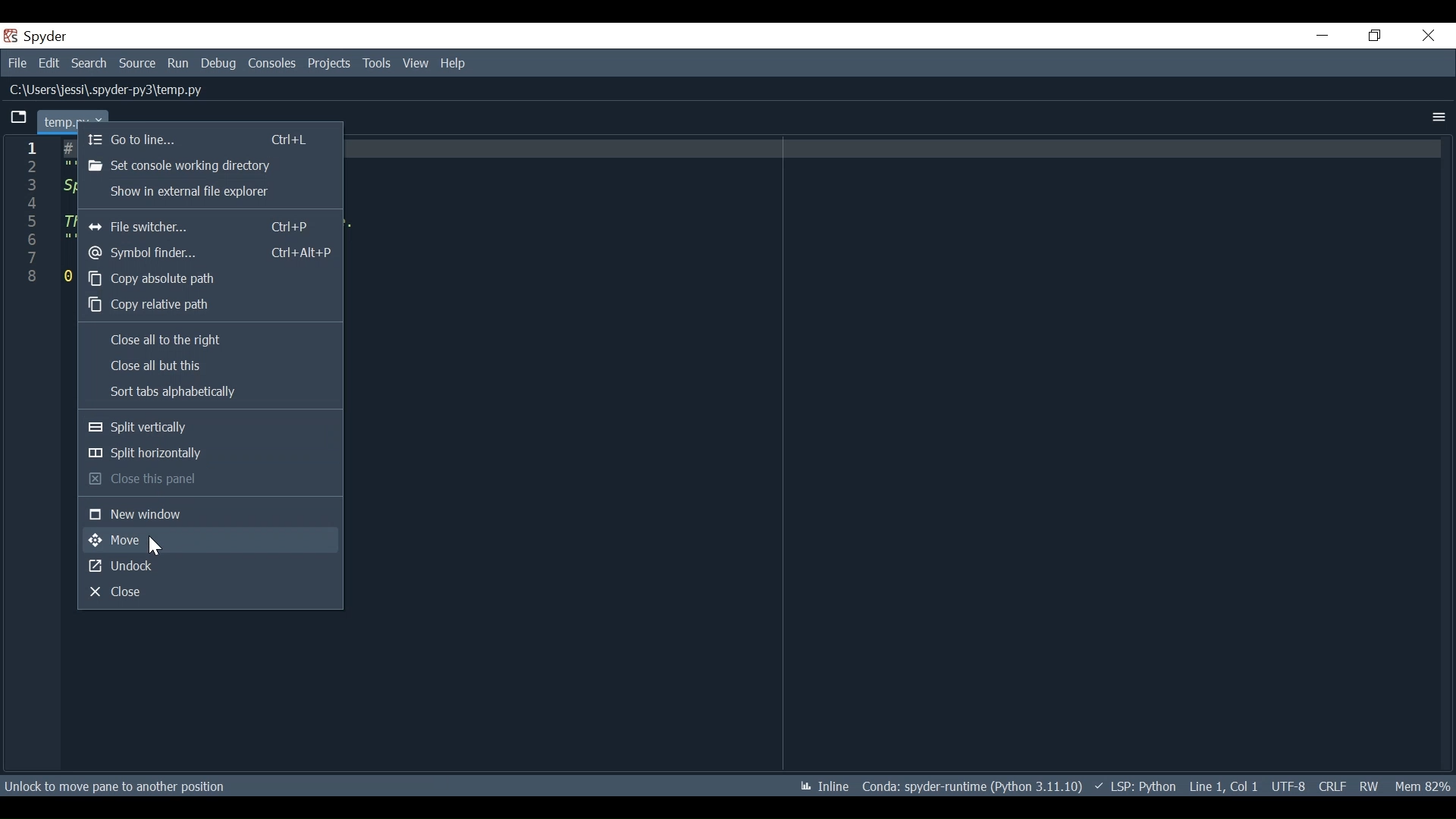 The width and height of the screenshot is (1456, 819). Describe the element at coordinates (1331, 787) in the screenshot. I see `File EQL Status` at that location.